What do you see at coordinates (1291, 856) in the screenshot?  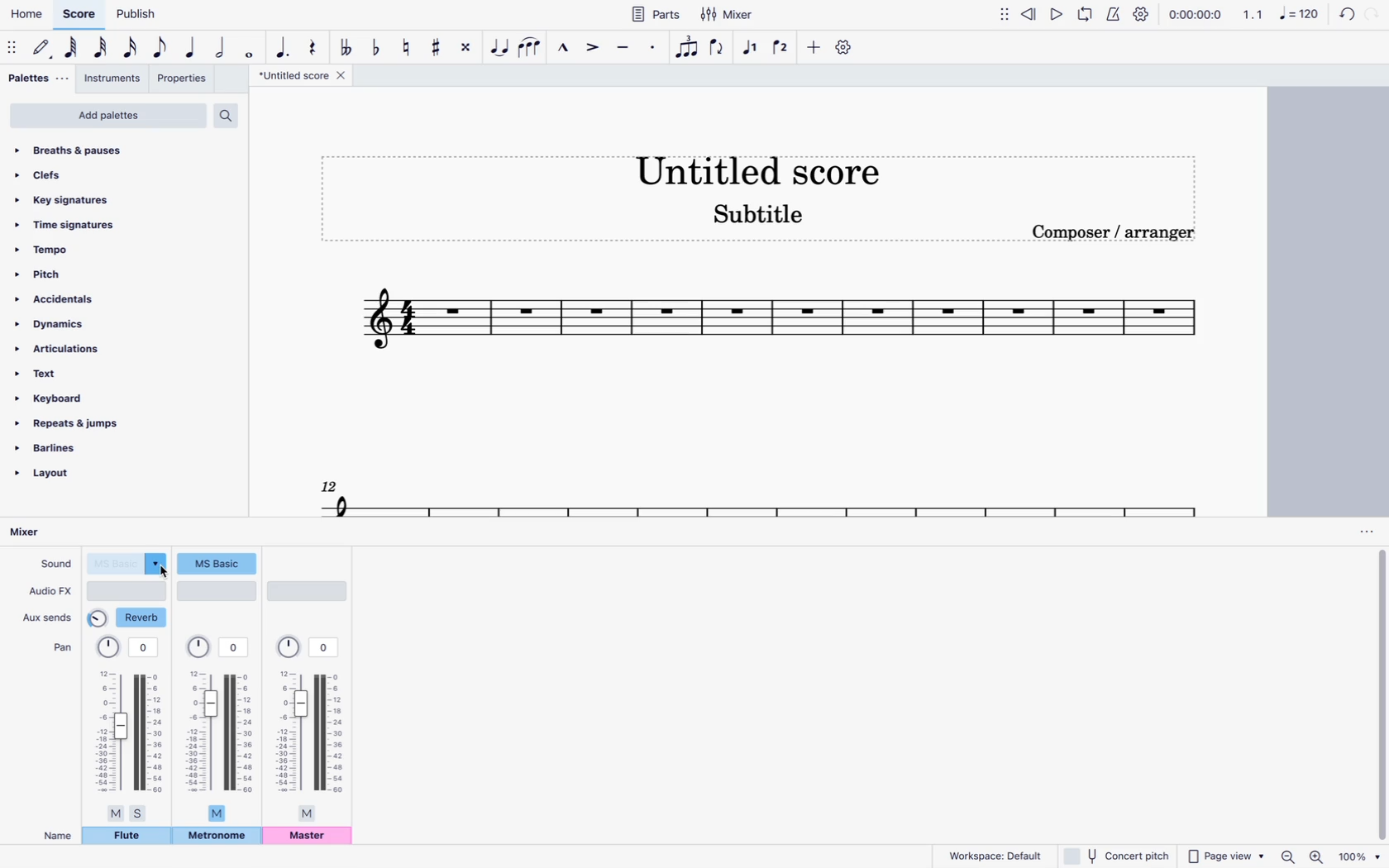 I see `zoom out` at bounding box center [1291, 856].